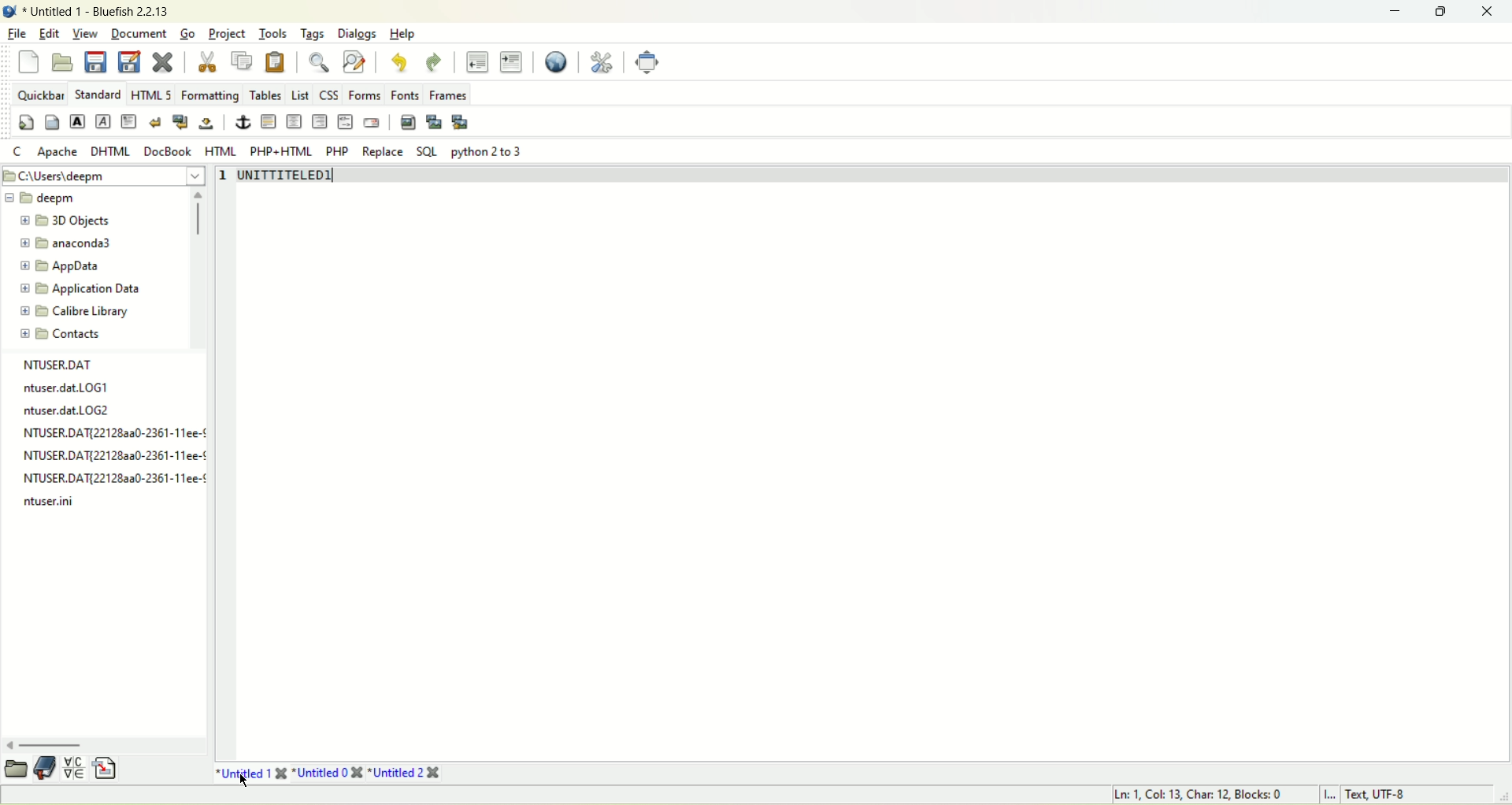  What do you see at coordinates (435, 61) in the screenshot?
I see `redo` at bounding box center [435, 61].